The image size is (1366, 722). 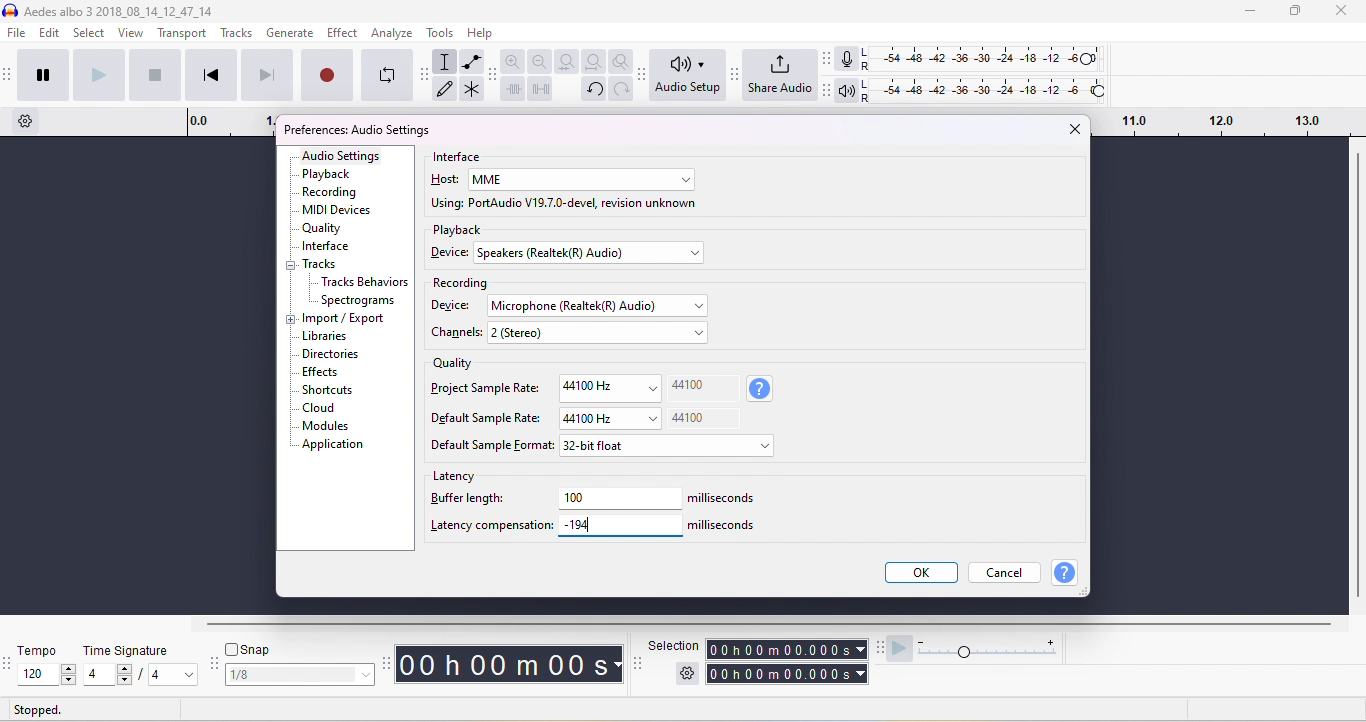 I want to click on snap, so click(x=251, y=649).